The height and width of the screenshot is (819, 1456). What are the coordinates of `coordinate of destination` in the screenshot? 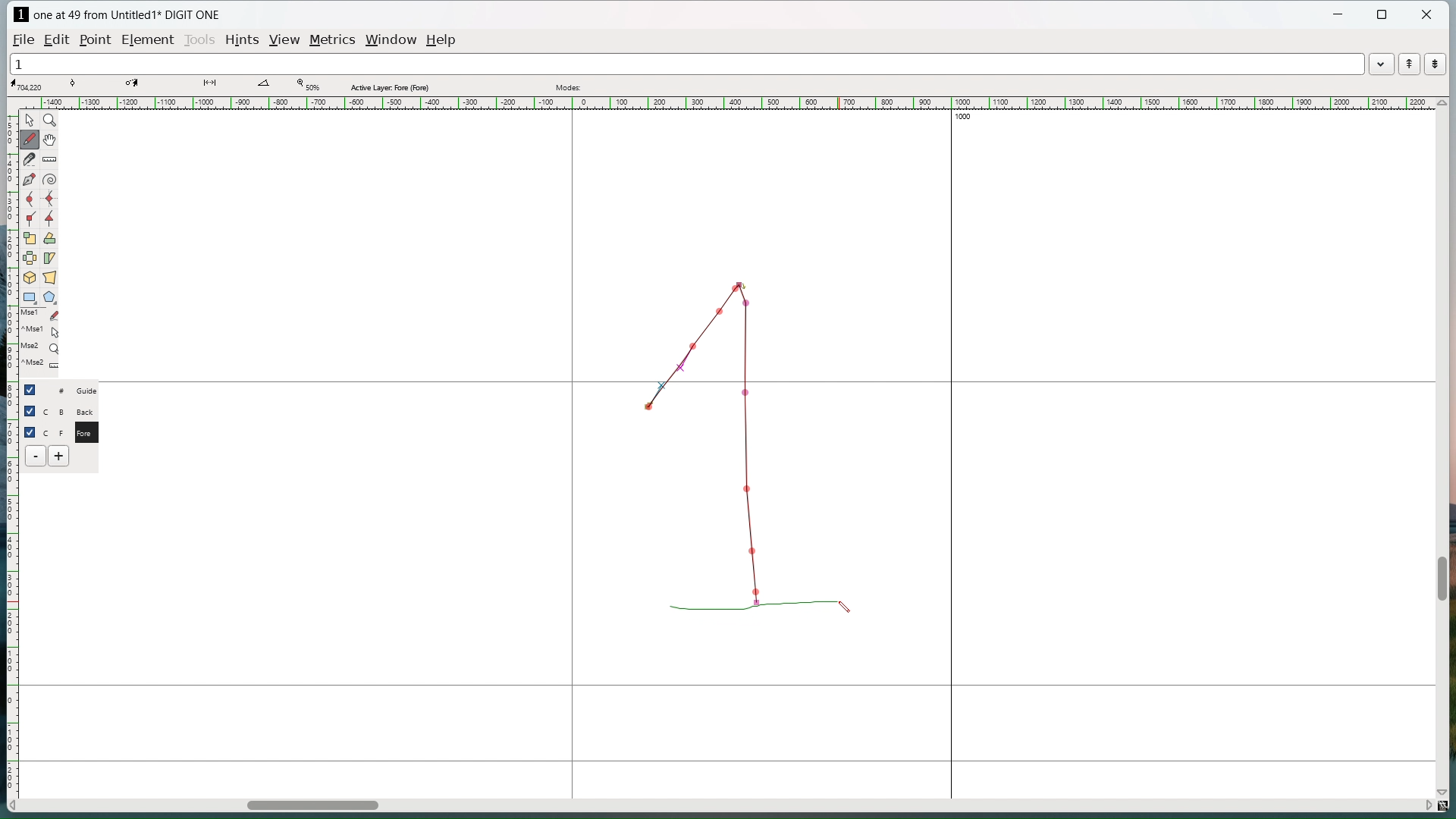 It's located at (146, 85).